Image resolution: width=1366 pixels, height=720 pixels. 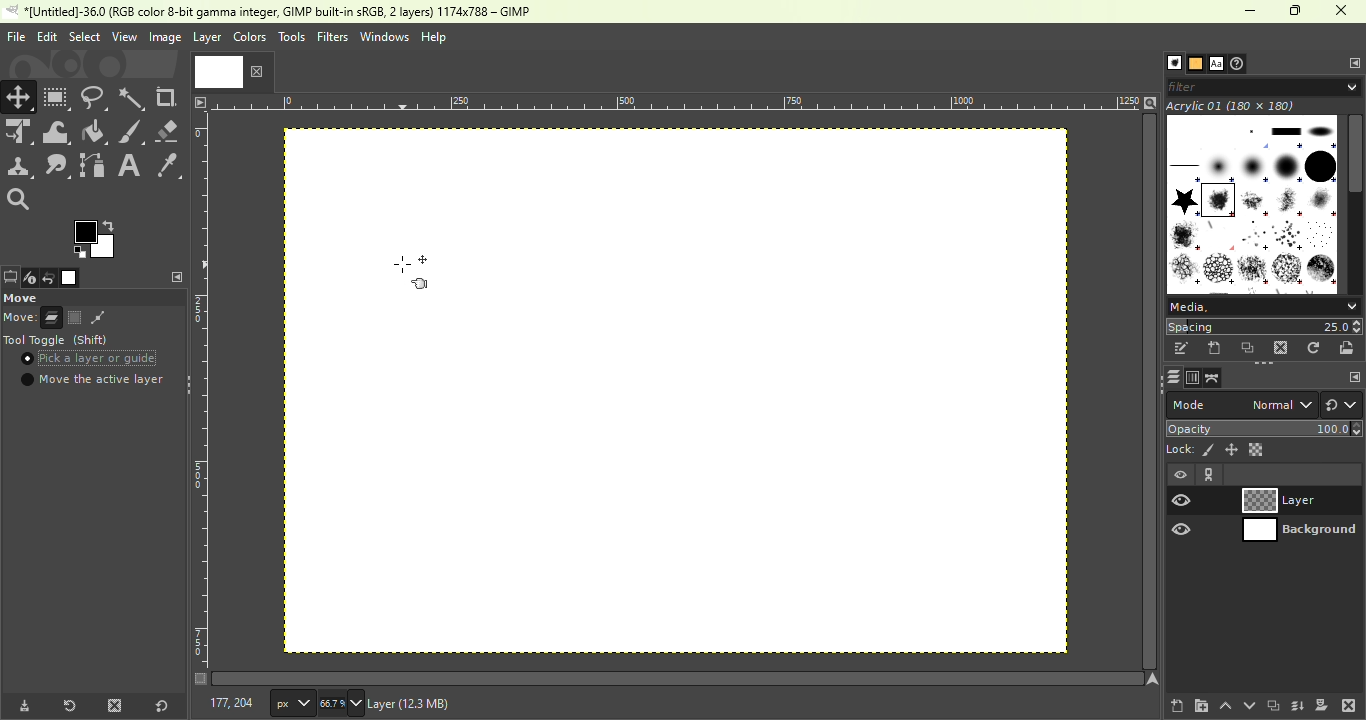 What do you see at coordinates (168, 164) in the screenshot?
I see `Color picker tool` at bounding box center [168, 164].